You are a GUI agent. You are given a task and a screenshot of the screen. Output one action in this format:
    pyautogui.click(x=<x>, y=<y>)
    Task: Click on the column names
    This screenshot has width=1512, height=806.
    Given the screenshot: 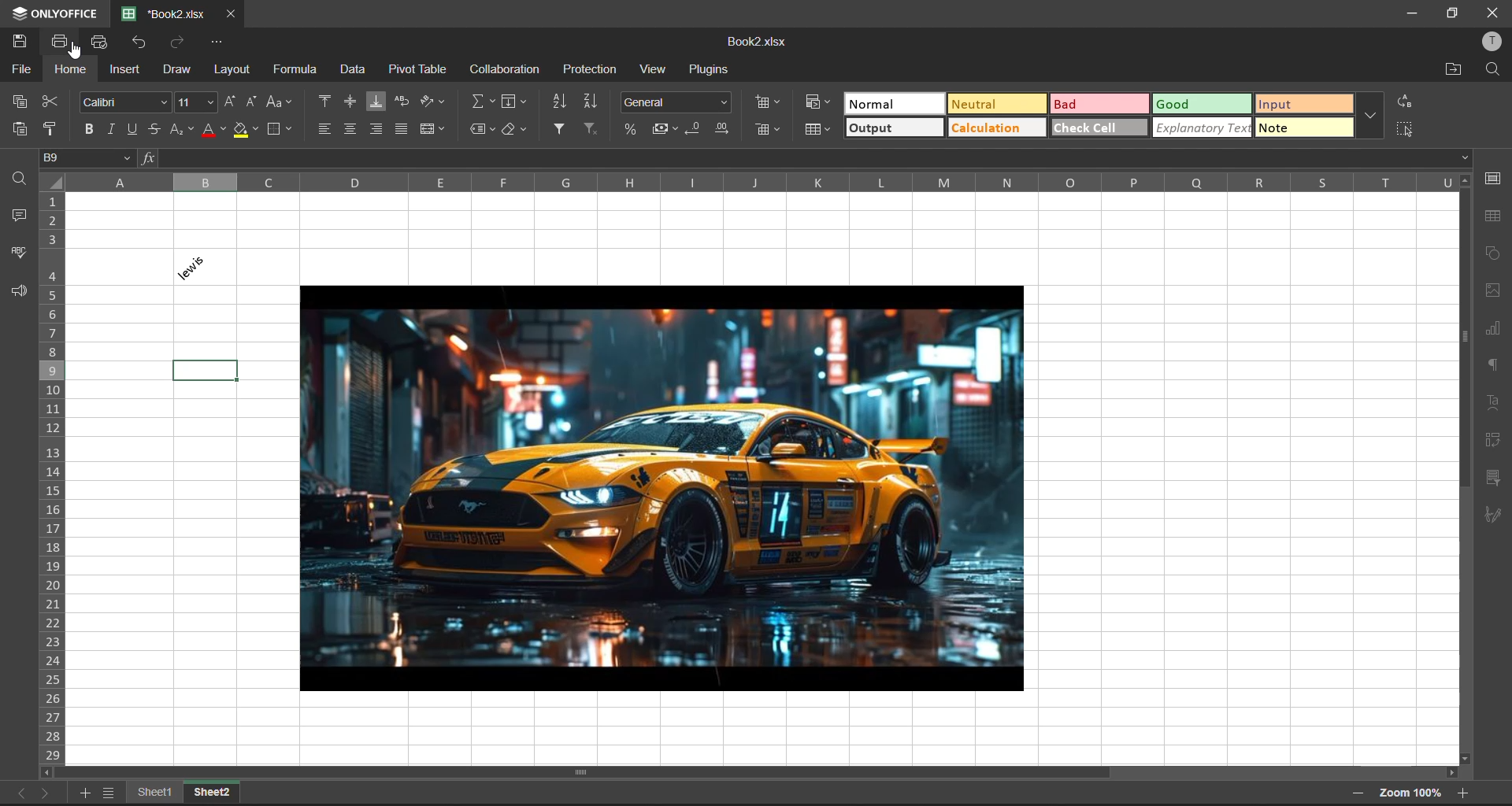 What is the action you would take?
    pyautogui.click(x=776, y=187)
    